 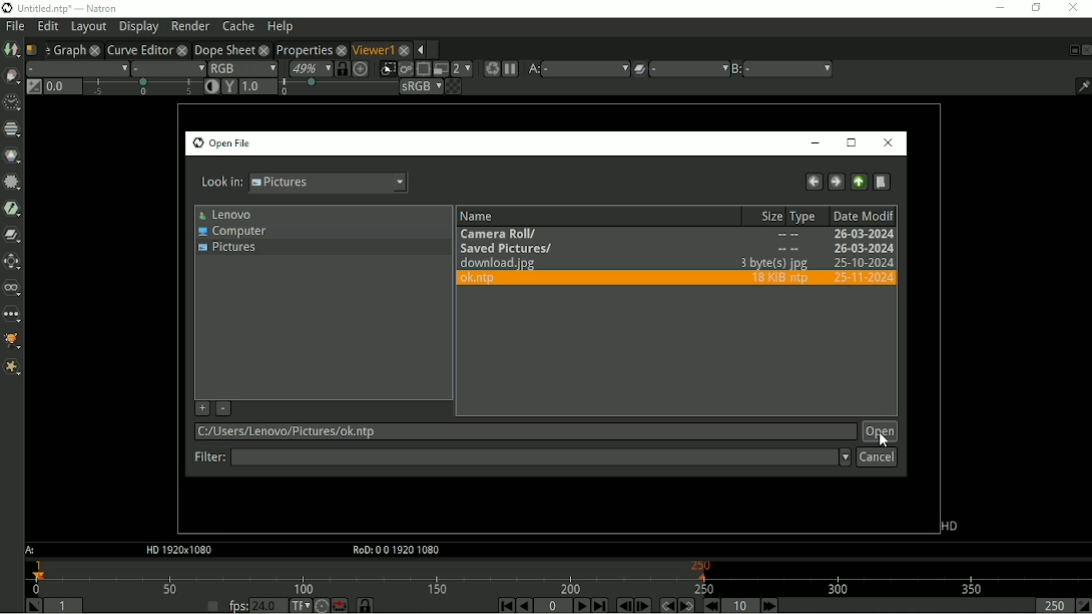 I want to click on Close, so click(x=1072, y=8).